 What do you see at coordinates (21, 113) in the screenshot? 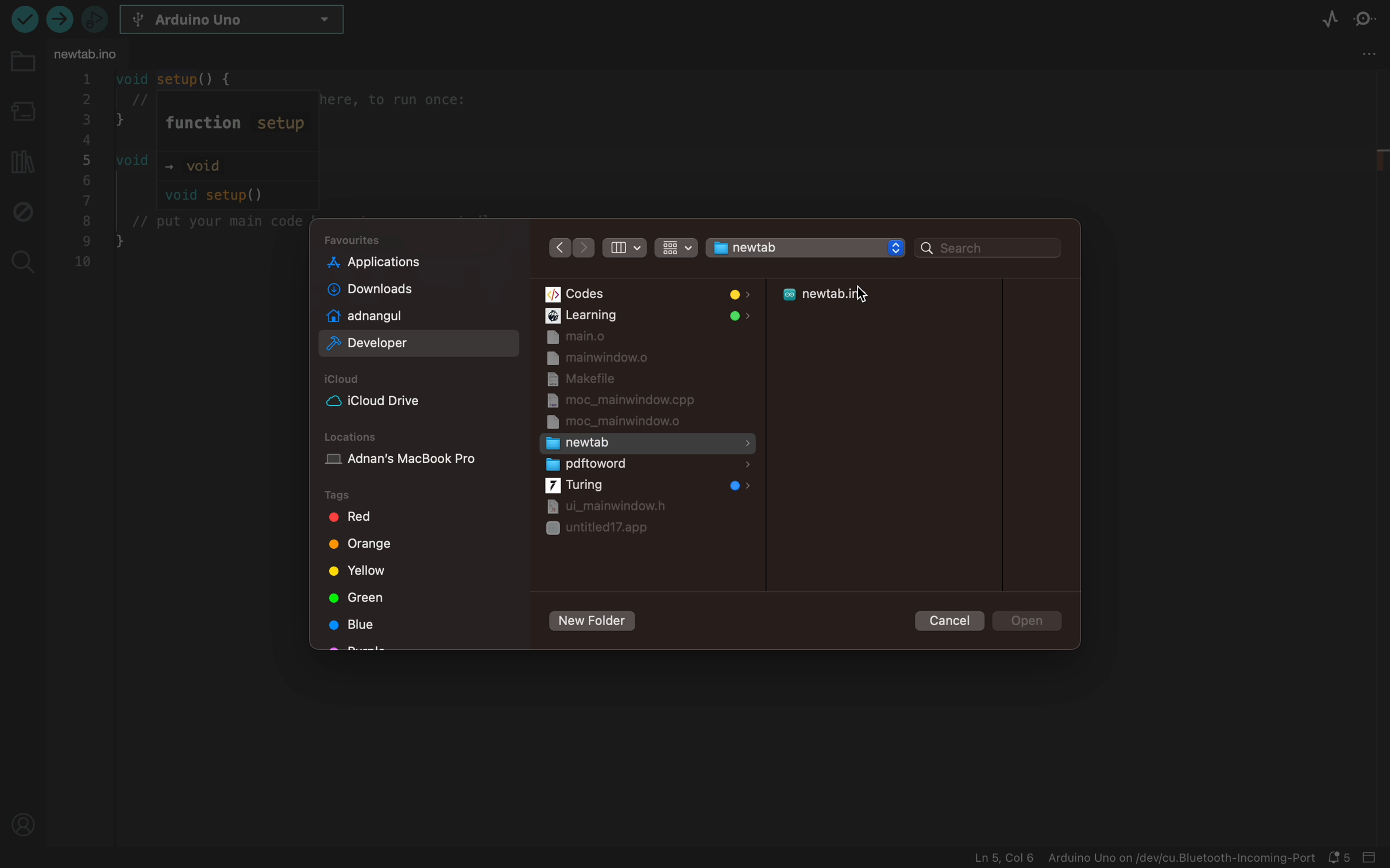
I see `board selecter` at bounding box center [21, 113].